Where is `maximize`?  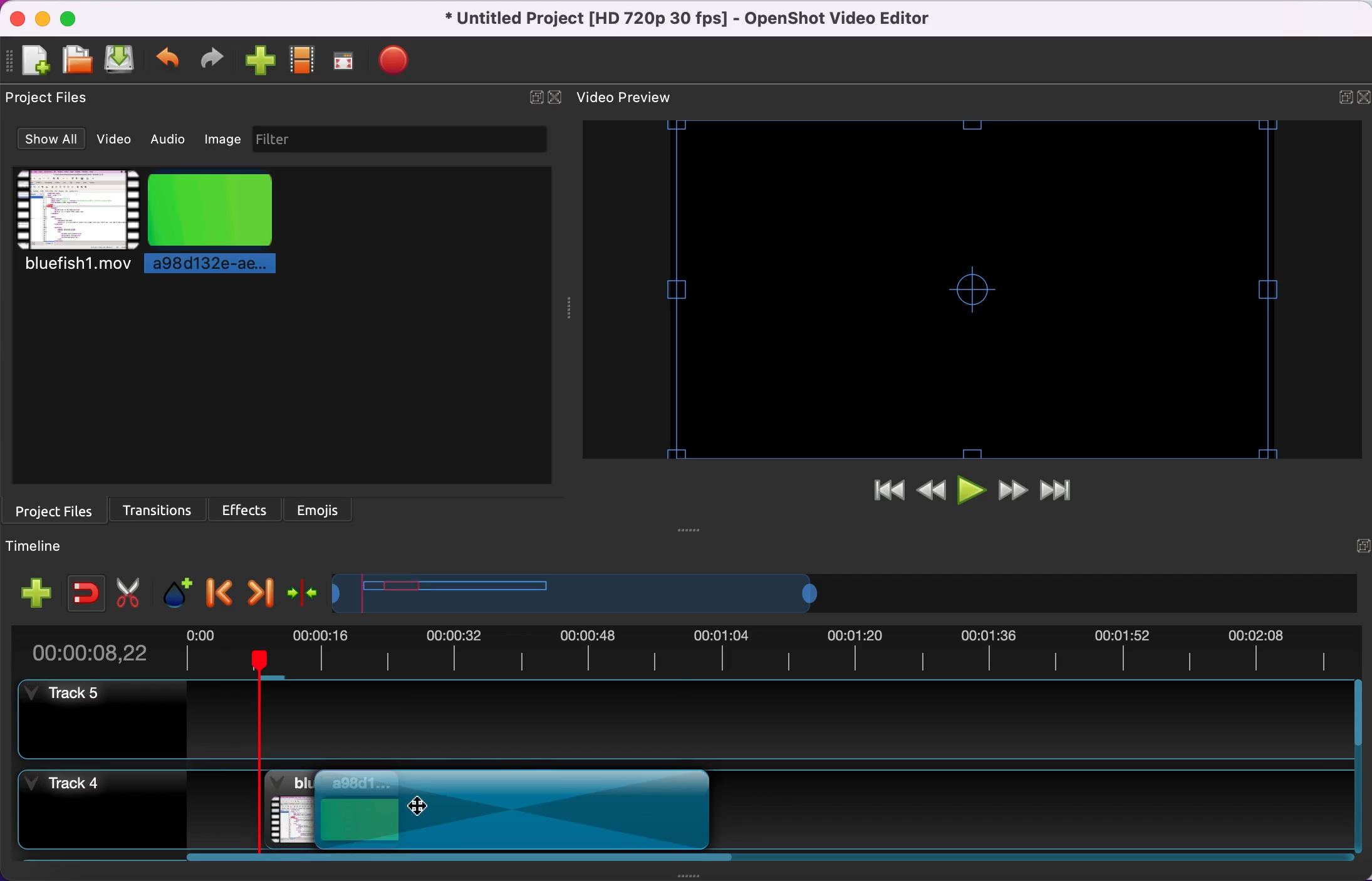 maximize is located at coordinates (74, 18).